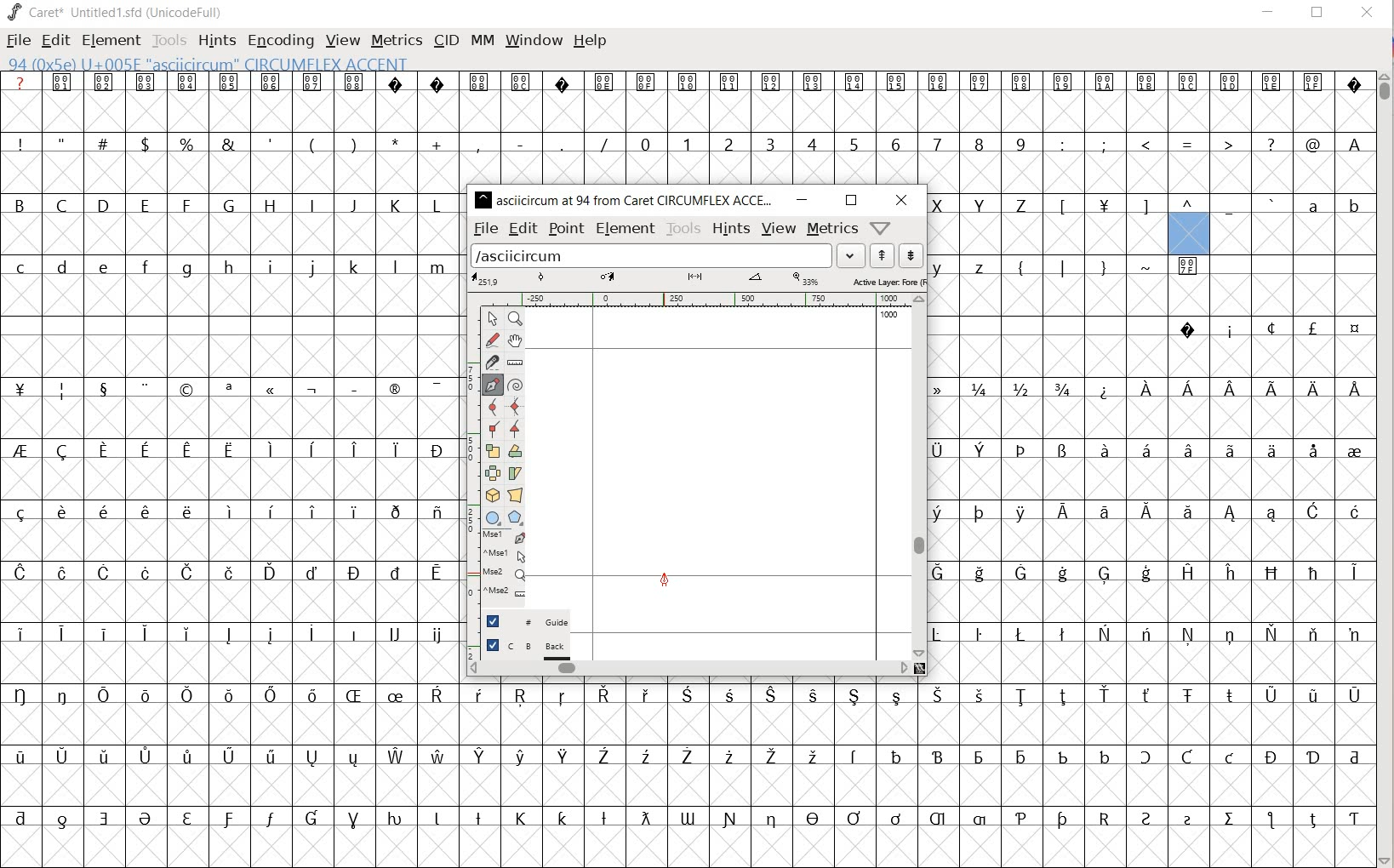  I want to click on METRICS, so click(397, 41).